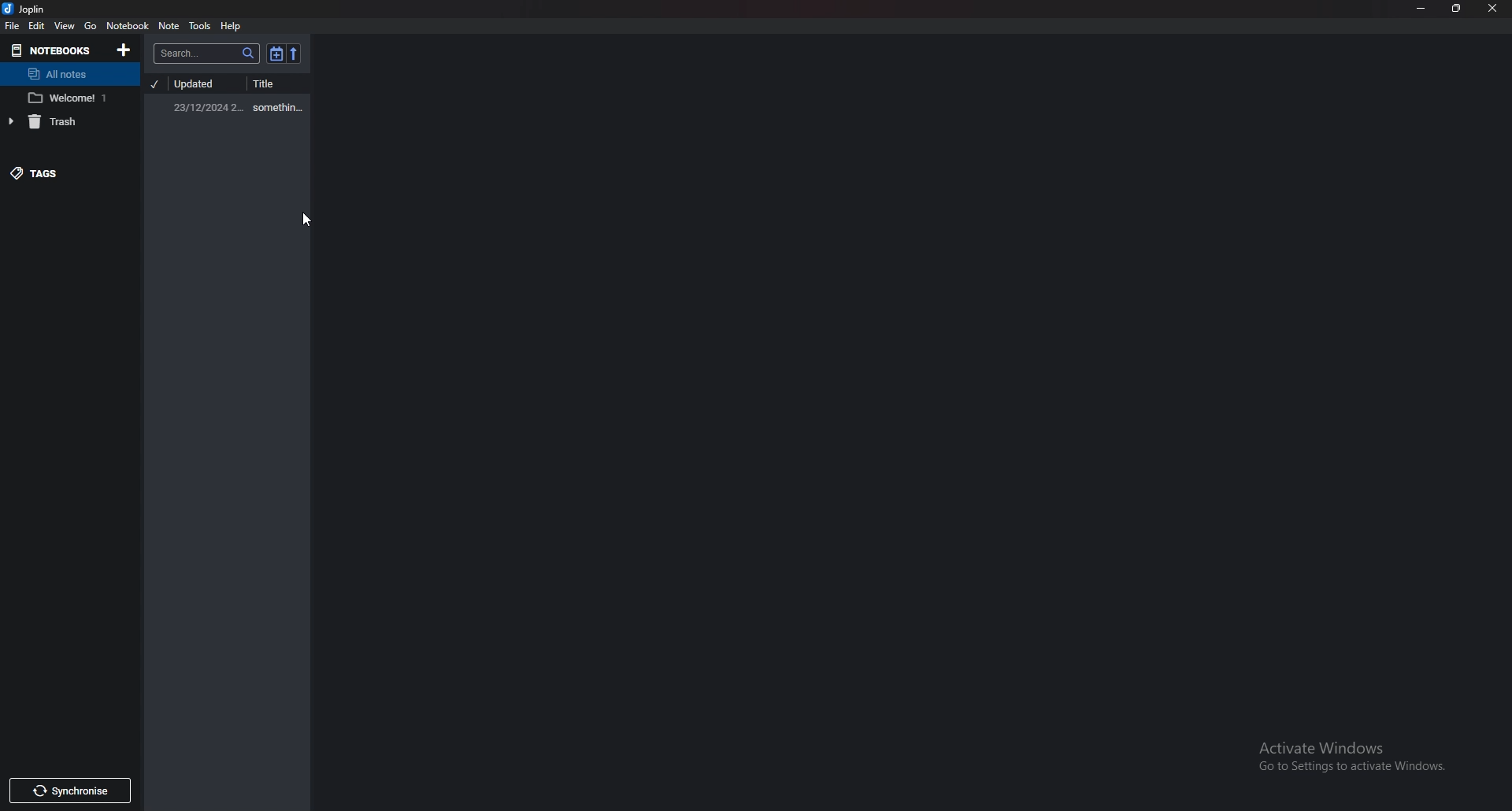 This screenshot has width=1512, height=811. Describe the element at coordinates (66, 76) in the screenshot. I see `All notes` at that location.